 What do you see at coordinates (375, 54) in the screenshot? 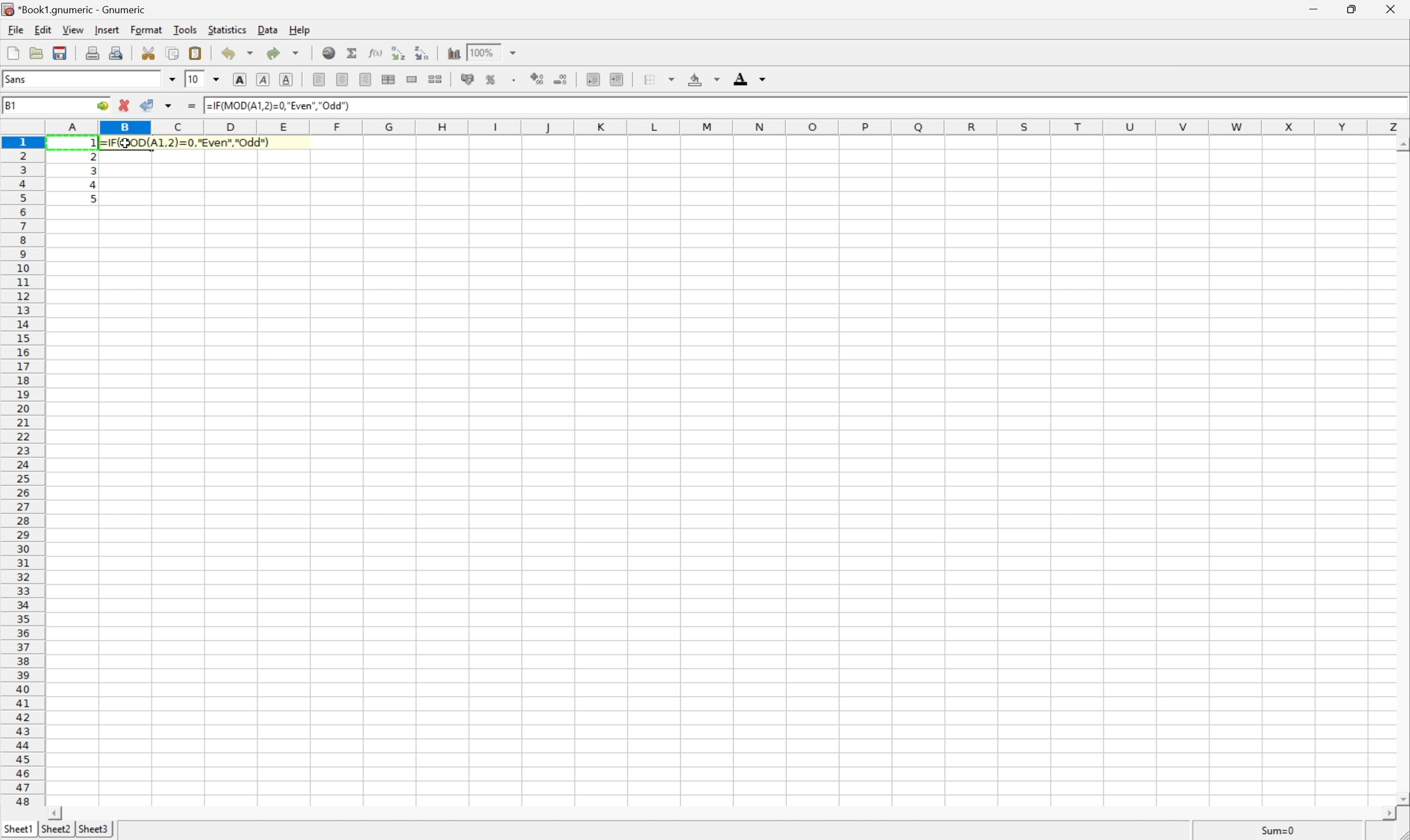
I see `Edit function in current cell` at bounding box center [375, 54].